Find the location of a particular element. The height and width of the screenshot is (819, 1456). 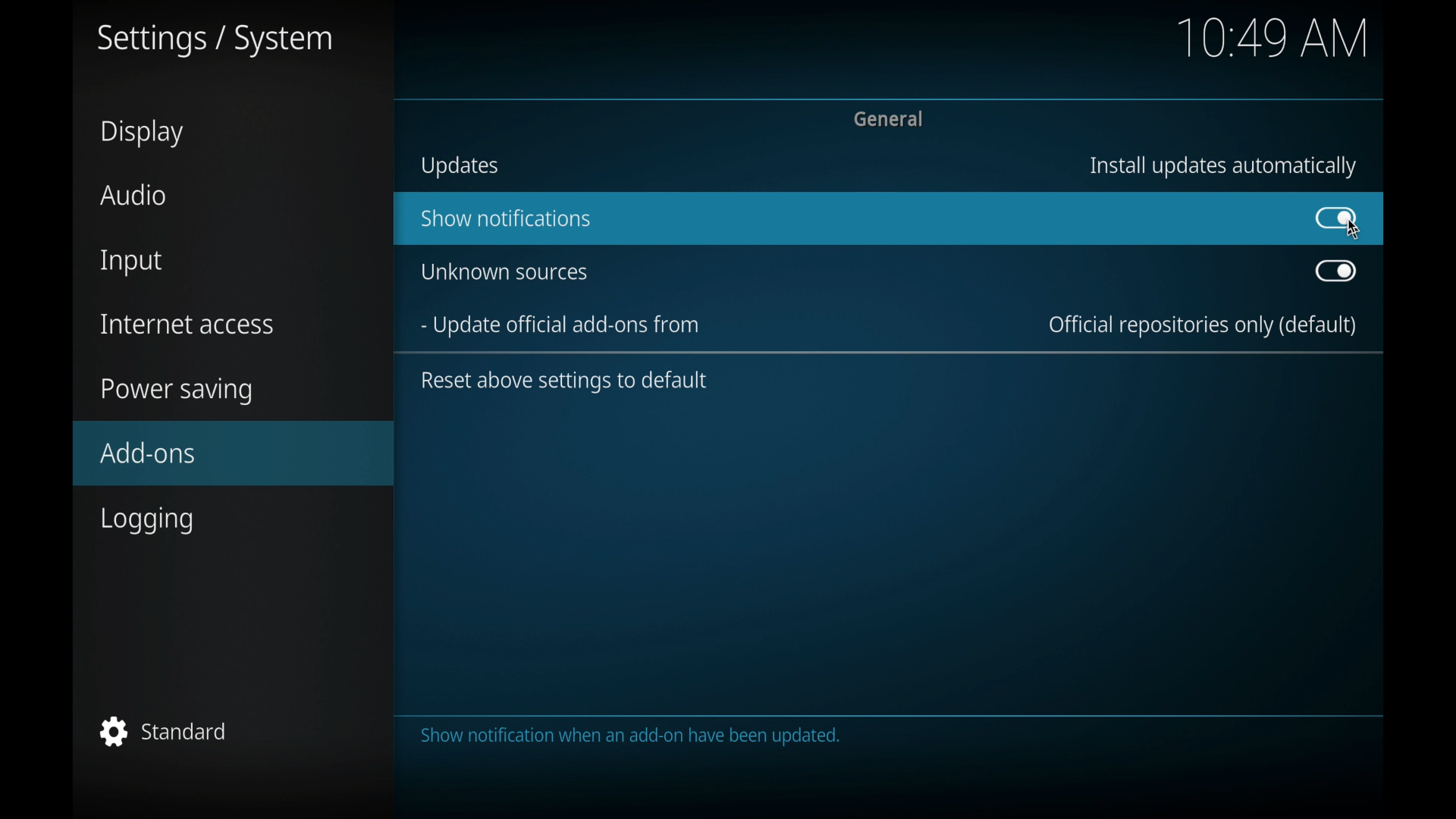

input is located at coordinates (132, 263).